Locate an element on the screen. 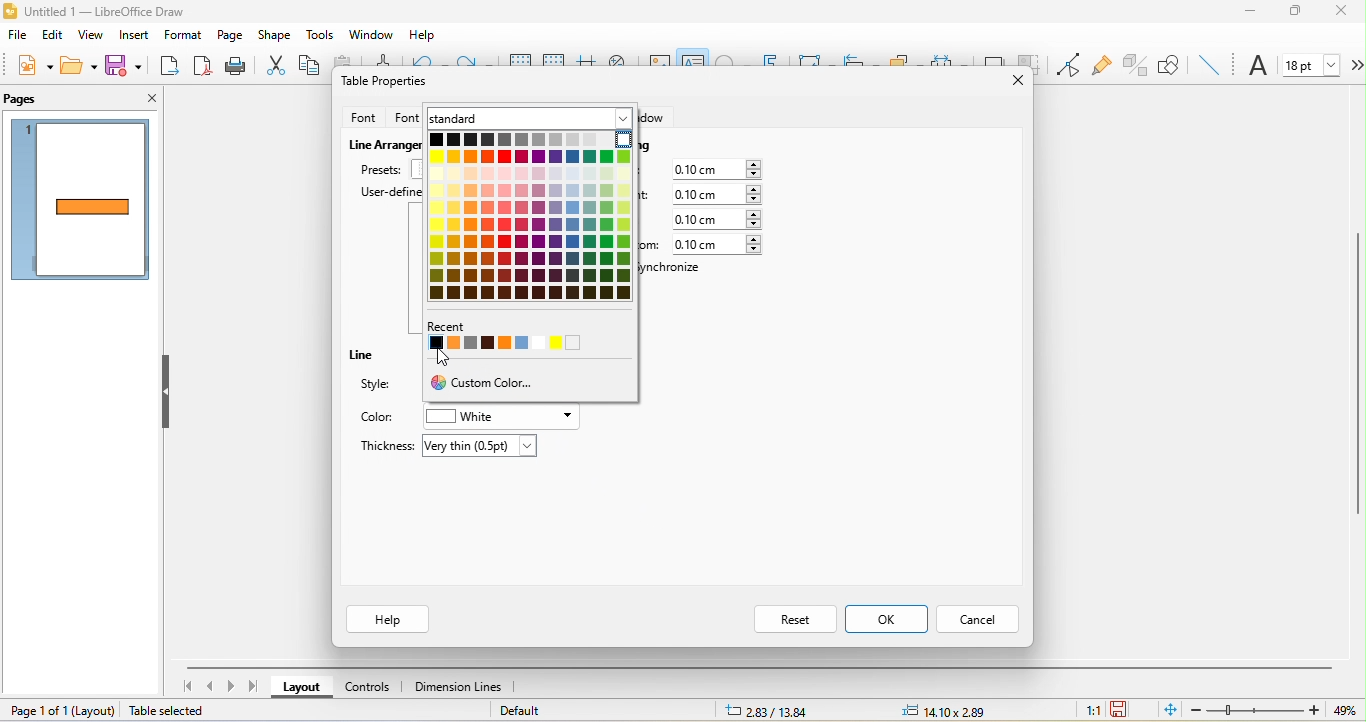 The height and width of the screenshot is (722, 1366). maximize is located at coordinates (1301, 15).